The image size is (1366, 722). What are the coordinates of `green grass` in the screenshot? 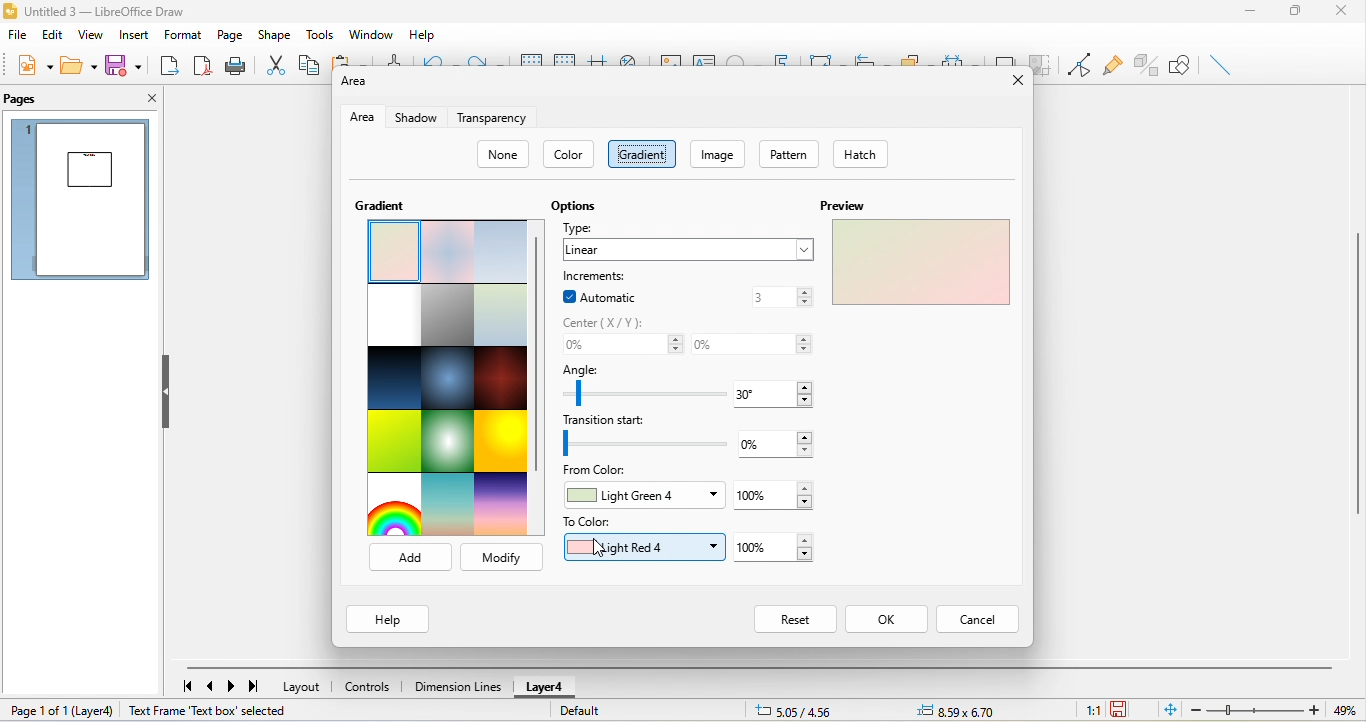 It's located at (392, 443).